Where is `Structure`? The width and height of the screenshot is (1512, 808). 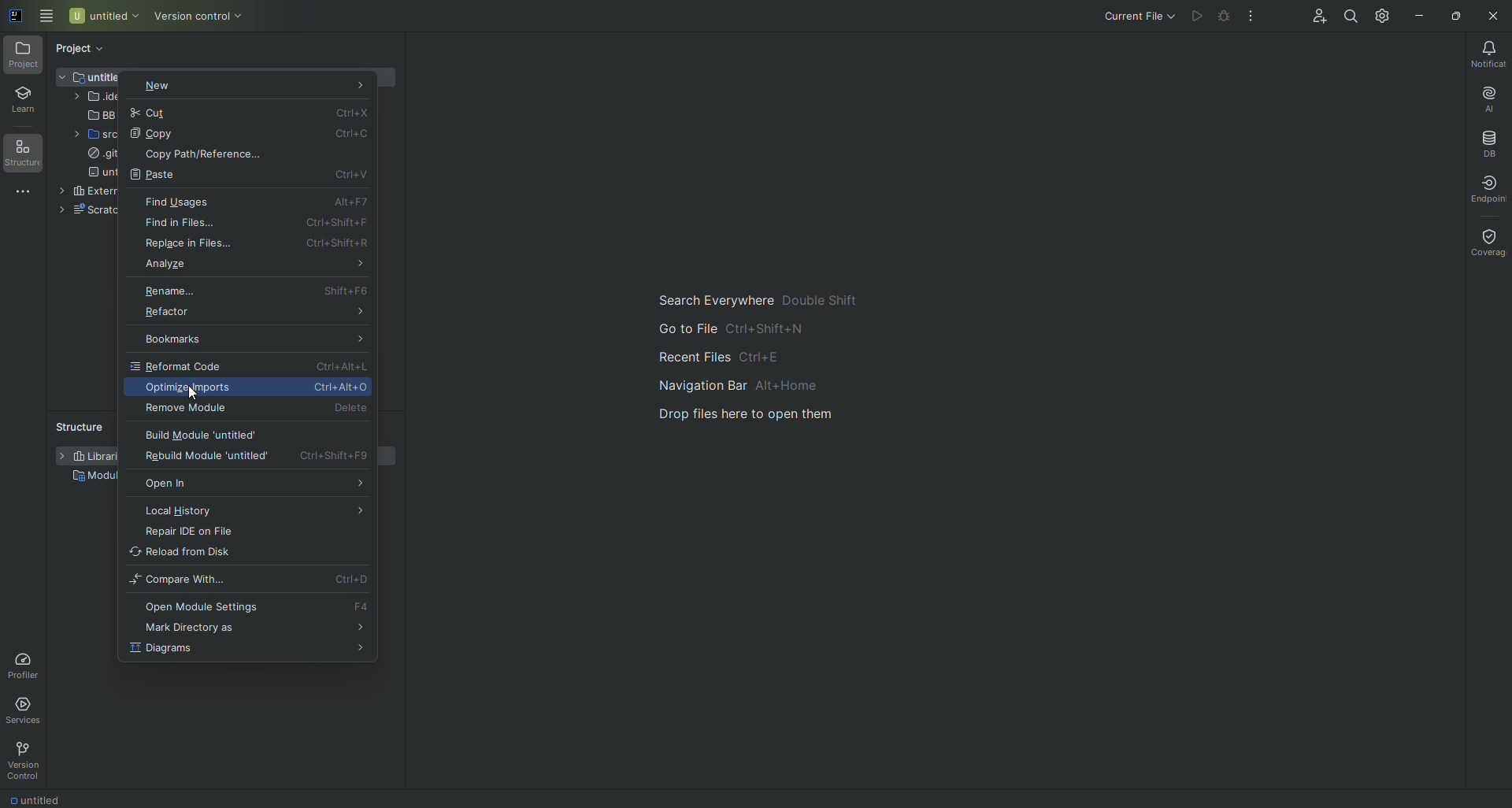 Structure is located at coordinates (75, 424).